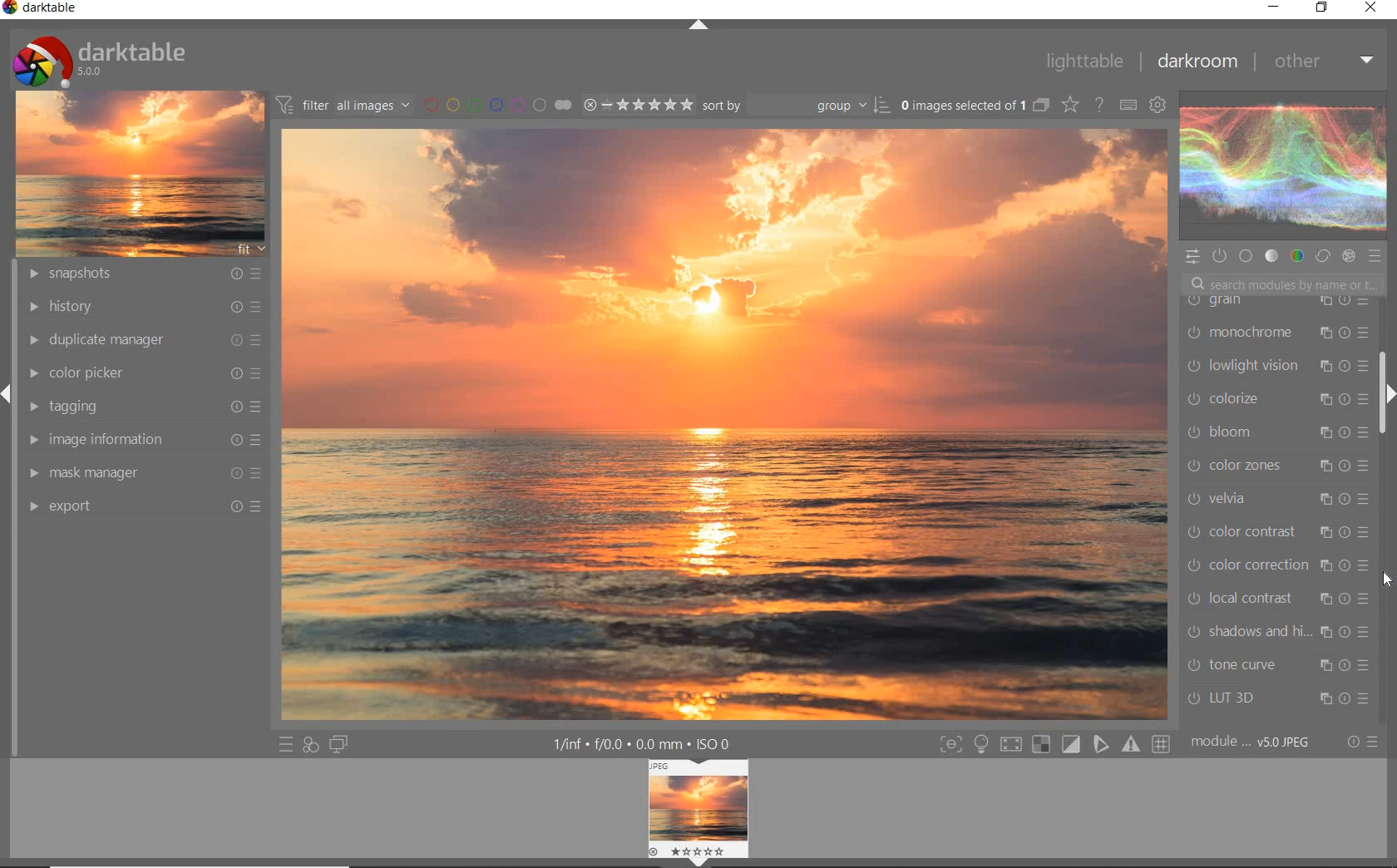 The height and width of the screenshot is (868, 1397). Describe the element at coordinates (284, 745) in the screenshot. I see `QUICK ACCESS TO PRESET` at that location.